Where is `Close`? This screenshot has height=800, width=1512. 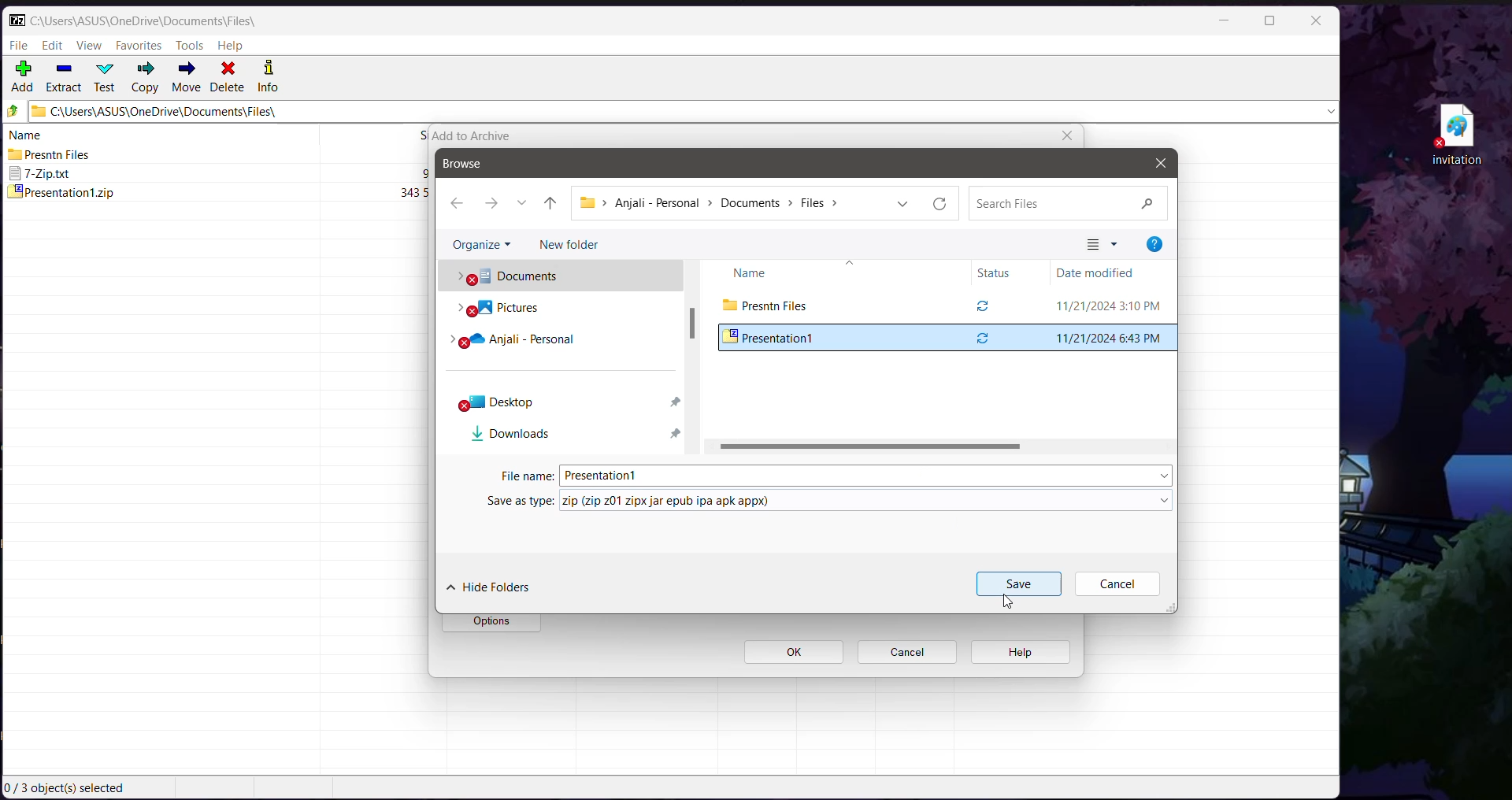 Close is located at coordinates (1161, 163).